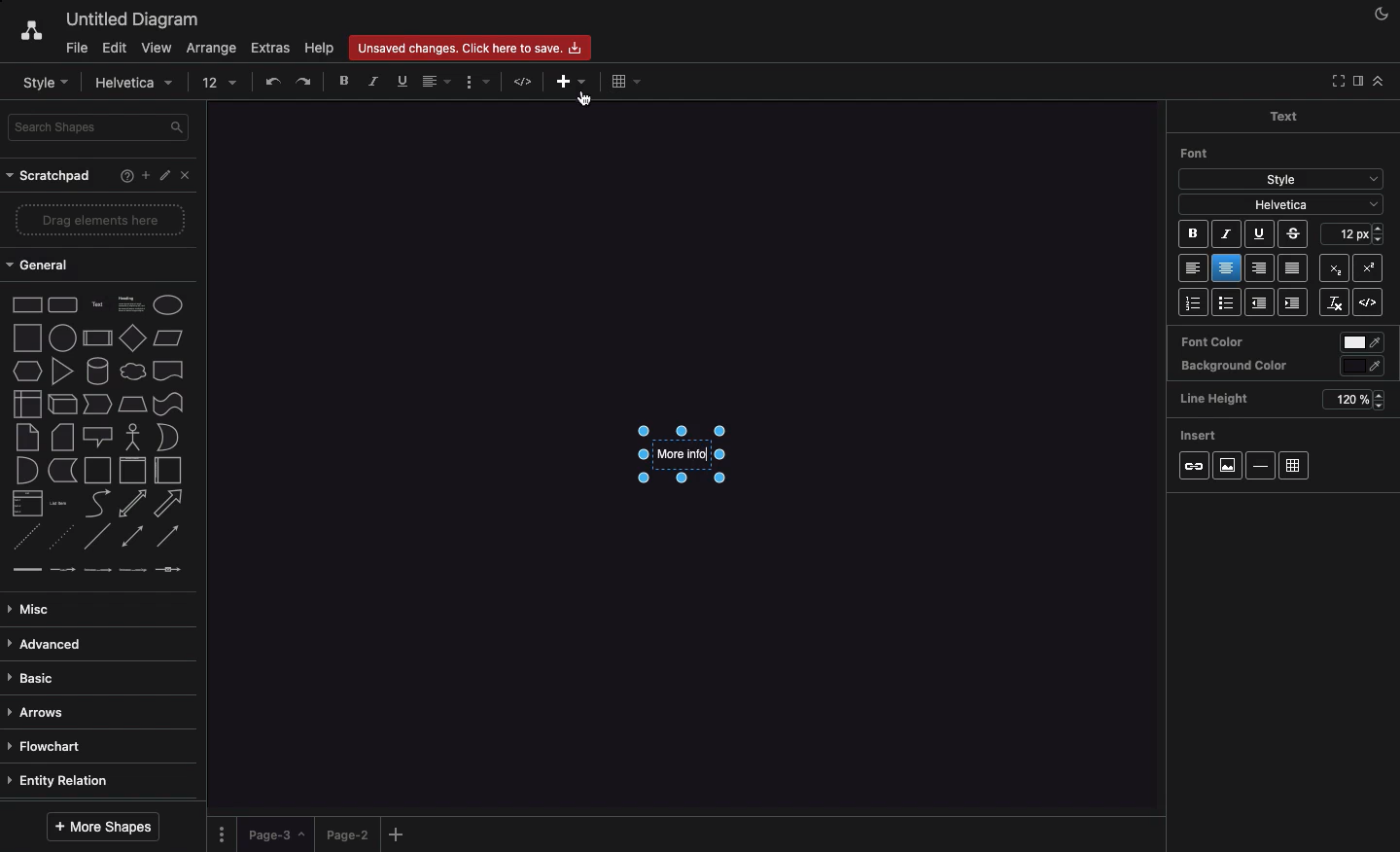 This screenshot has width=1400, height=852. What do you see at coordinates (190, 179) in the screenshot?
I see `Close` at bounding box center [190, 179].